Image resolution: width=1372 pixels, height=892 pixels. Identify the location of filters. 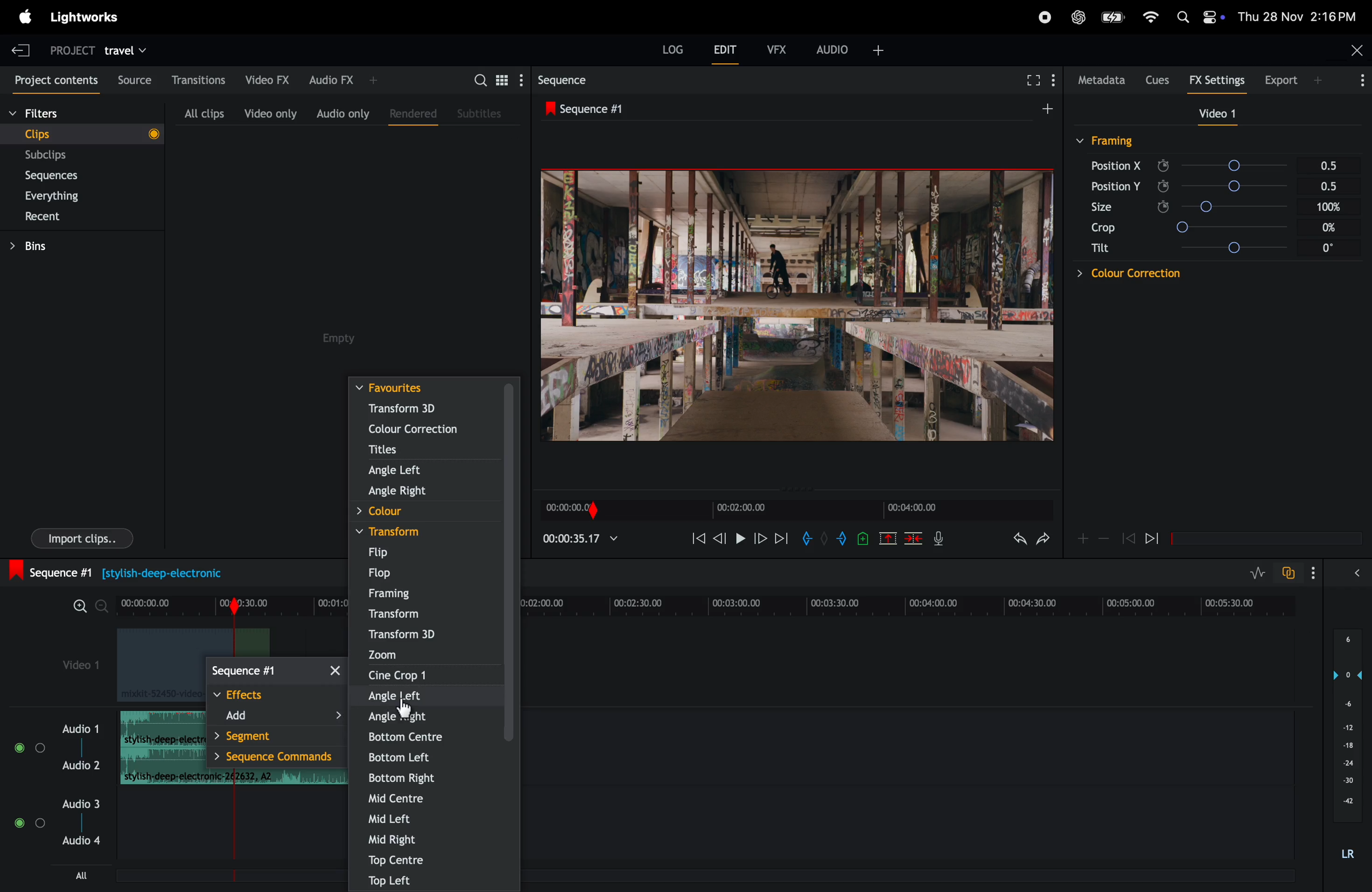
(61, 114).